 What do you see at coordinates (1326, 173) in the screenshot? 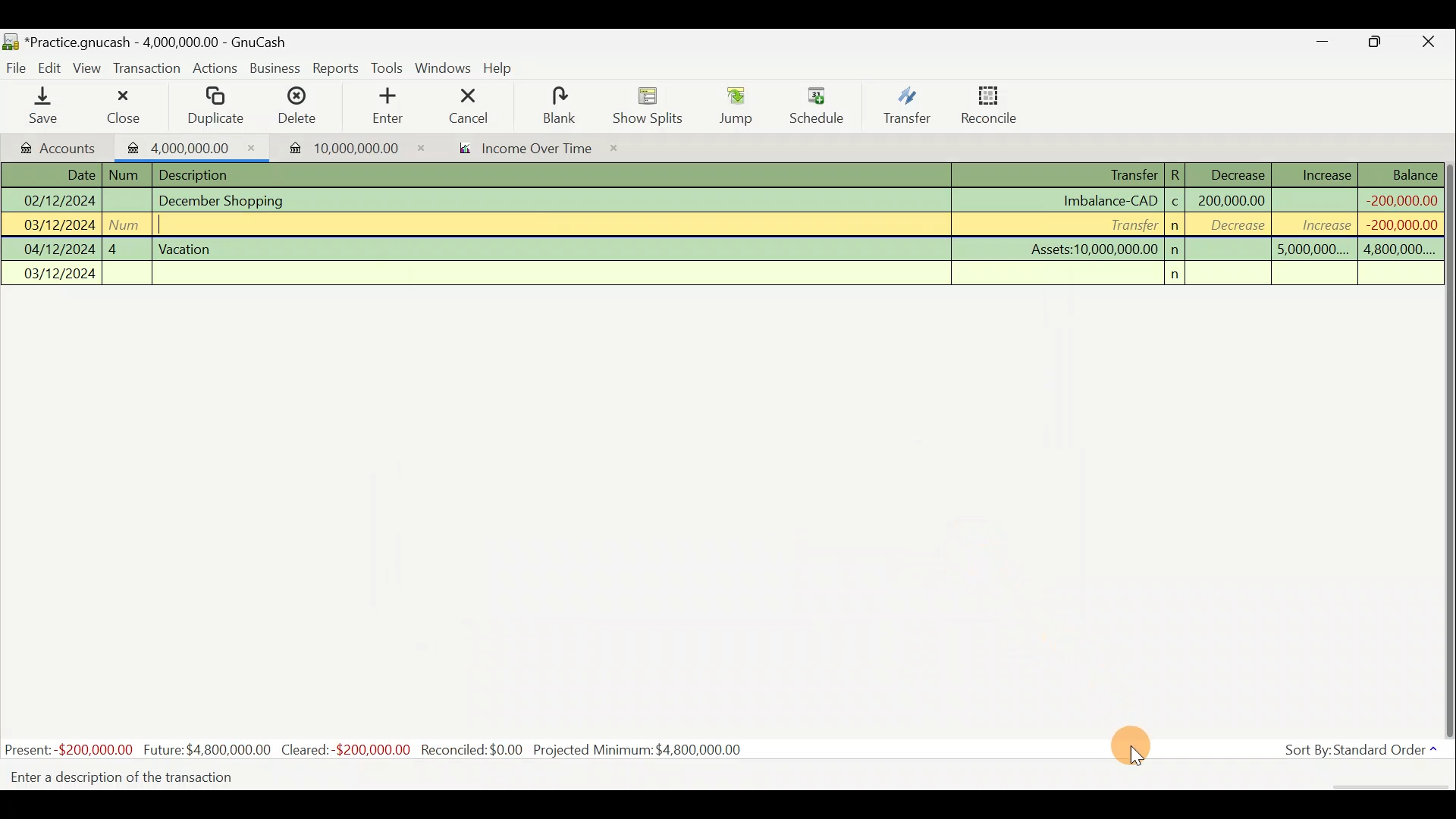
I see `Increase` at bounding box center [1326, 173].